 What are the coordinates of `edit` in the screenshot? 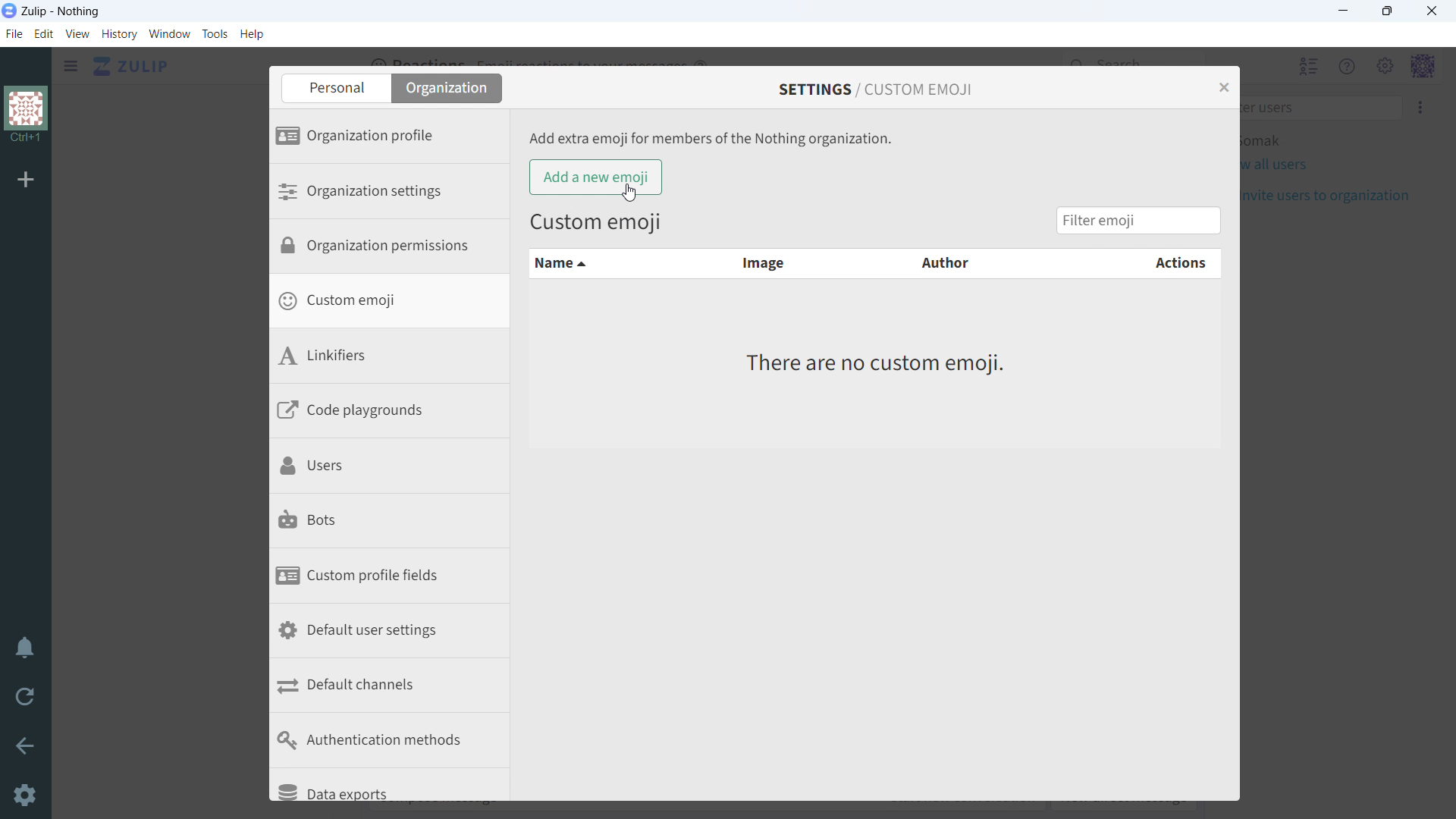 It's located at (44, 35).